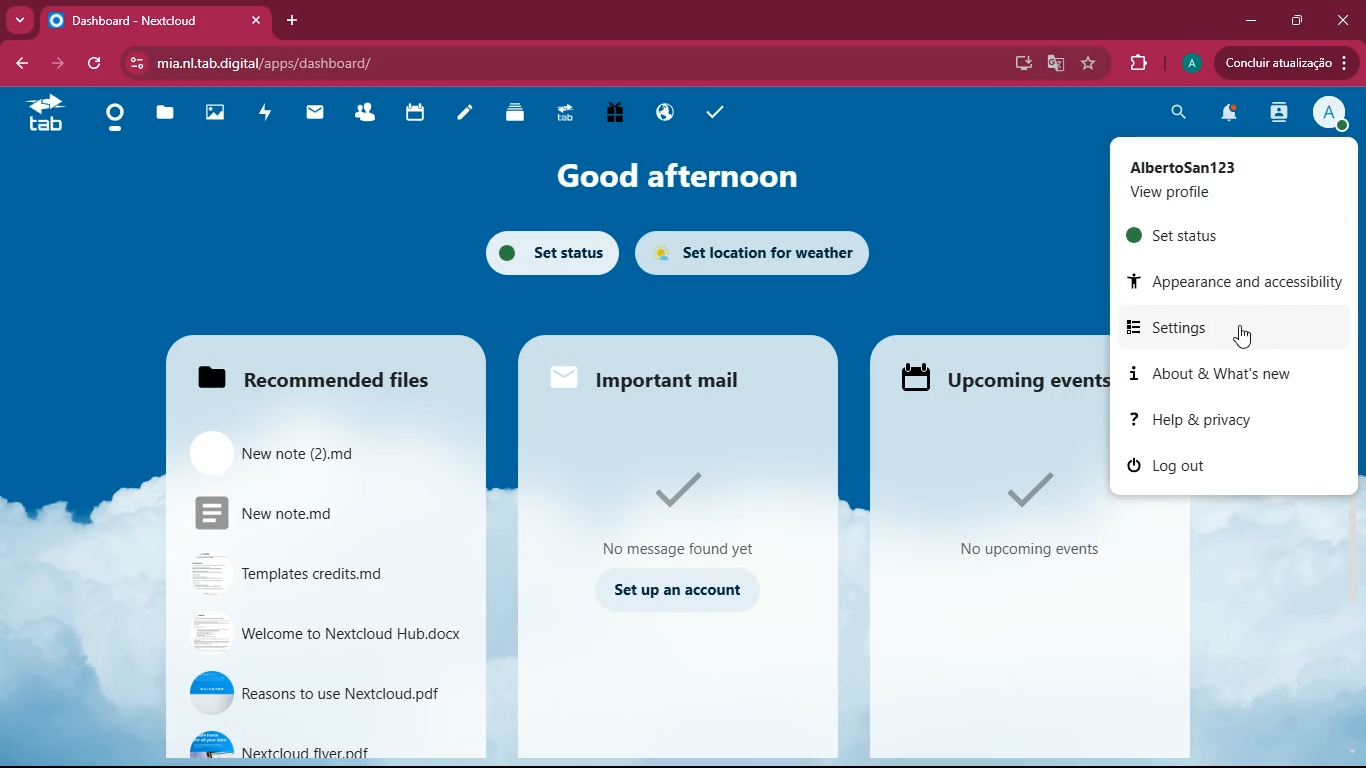 Image resolution: width=1366 pixels, height=768 pixels. Describe the element at coordinates (1278, 115) in the screenshot. I see `activity` at that location.